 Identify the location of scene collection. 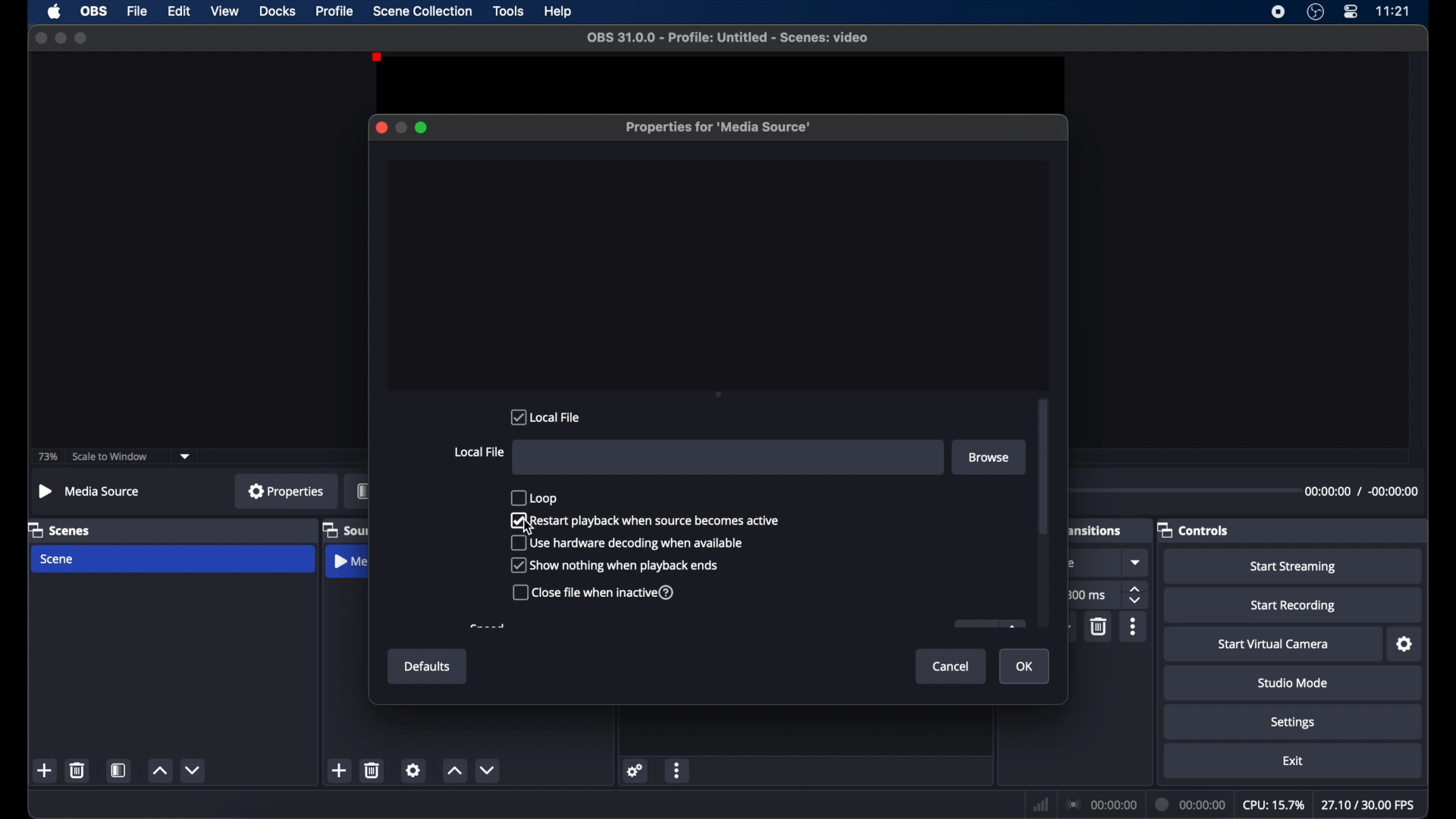
(422, 11).